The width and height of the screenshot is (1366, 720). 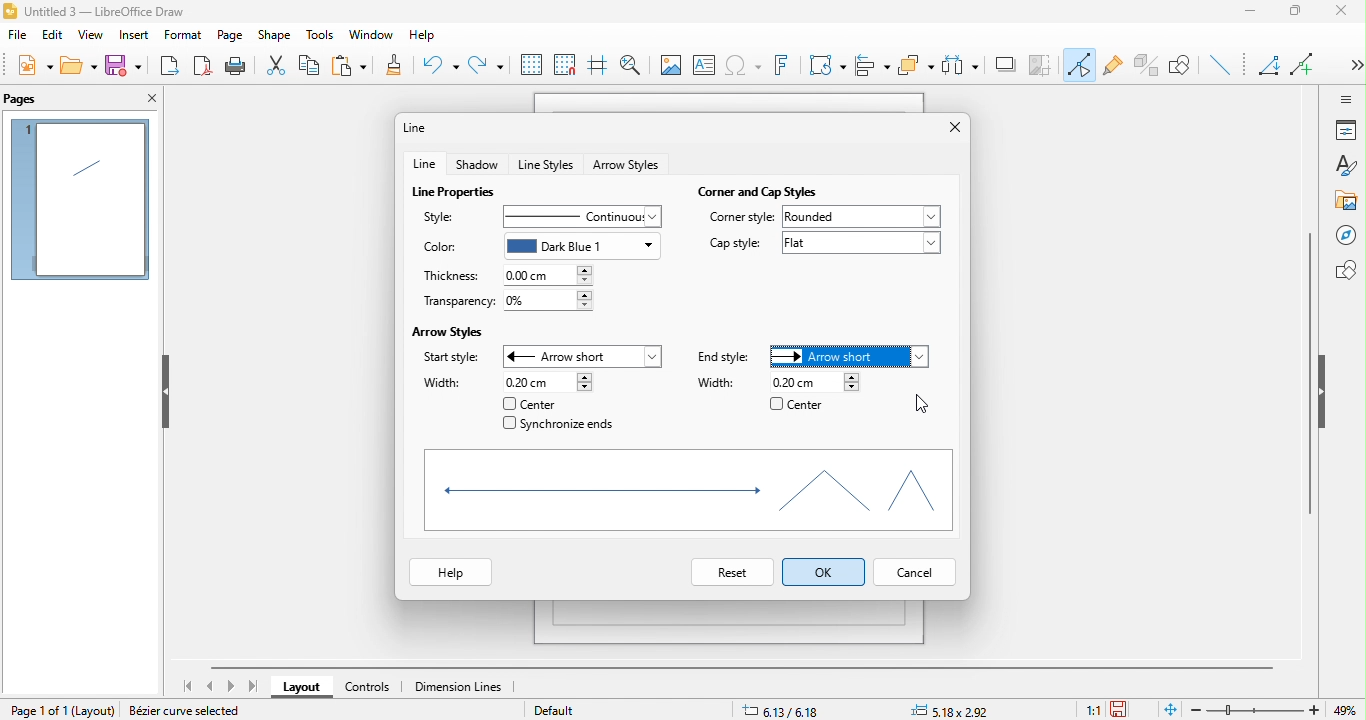 I want to click on text box, so click(x=705, y=68).